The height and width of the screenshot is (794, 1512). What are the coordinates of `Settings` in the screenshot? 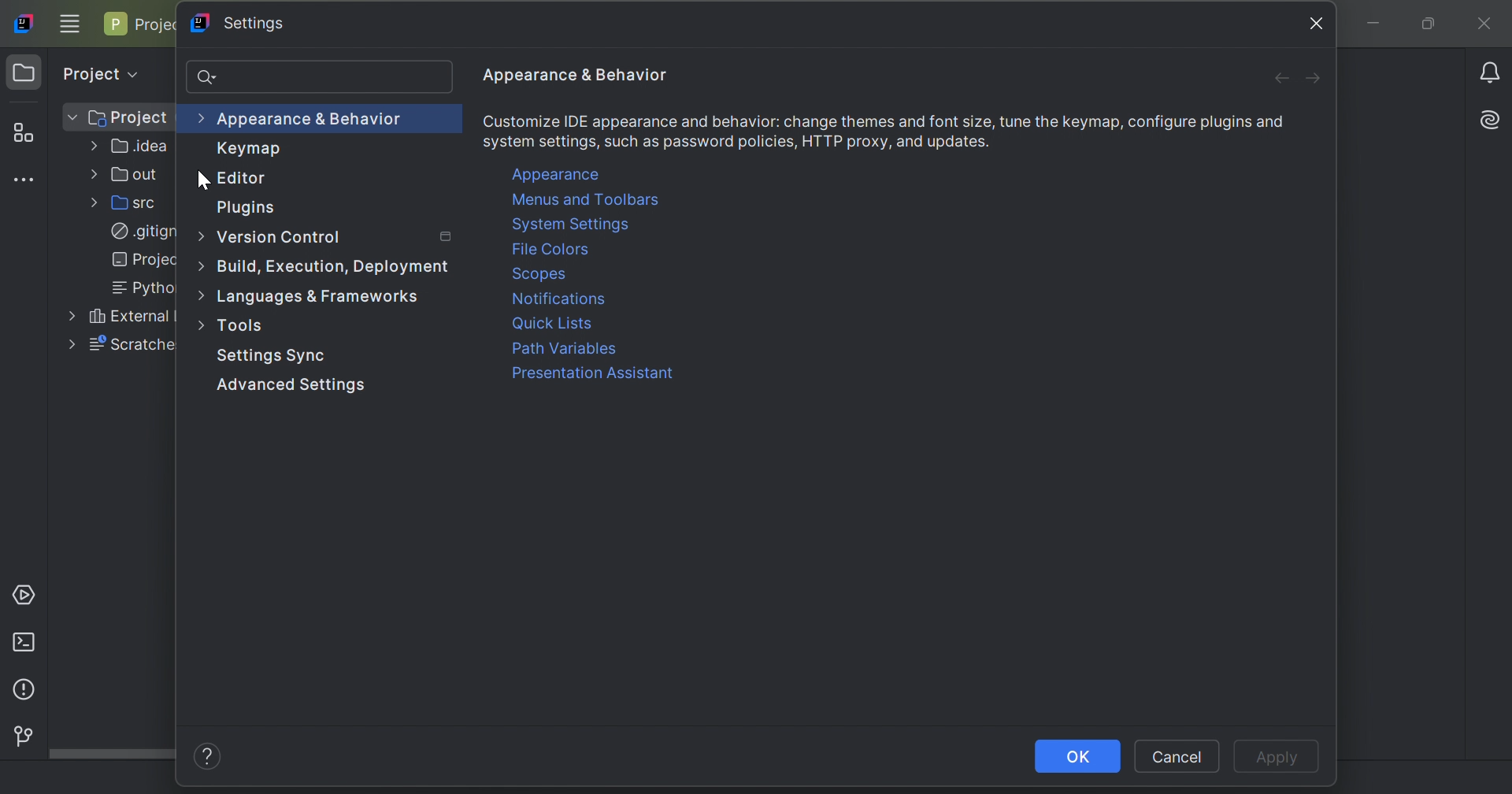 It's located at (239, 24).